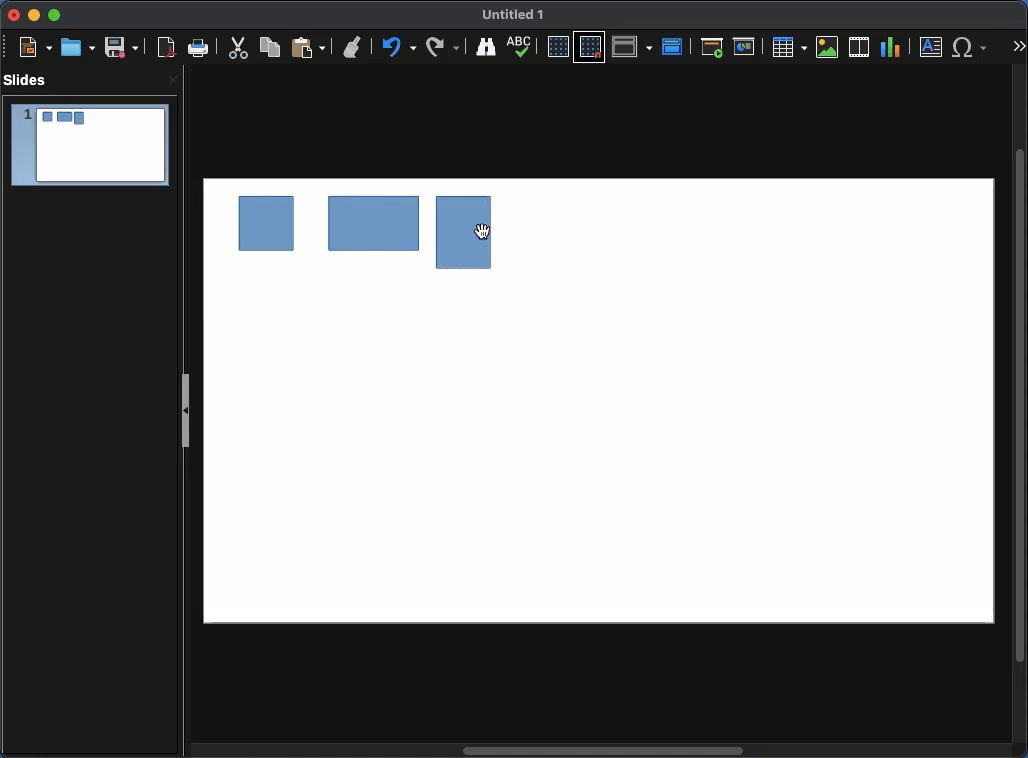  I want to click on Scroll, so click(1020, 406).